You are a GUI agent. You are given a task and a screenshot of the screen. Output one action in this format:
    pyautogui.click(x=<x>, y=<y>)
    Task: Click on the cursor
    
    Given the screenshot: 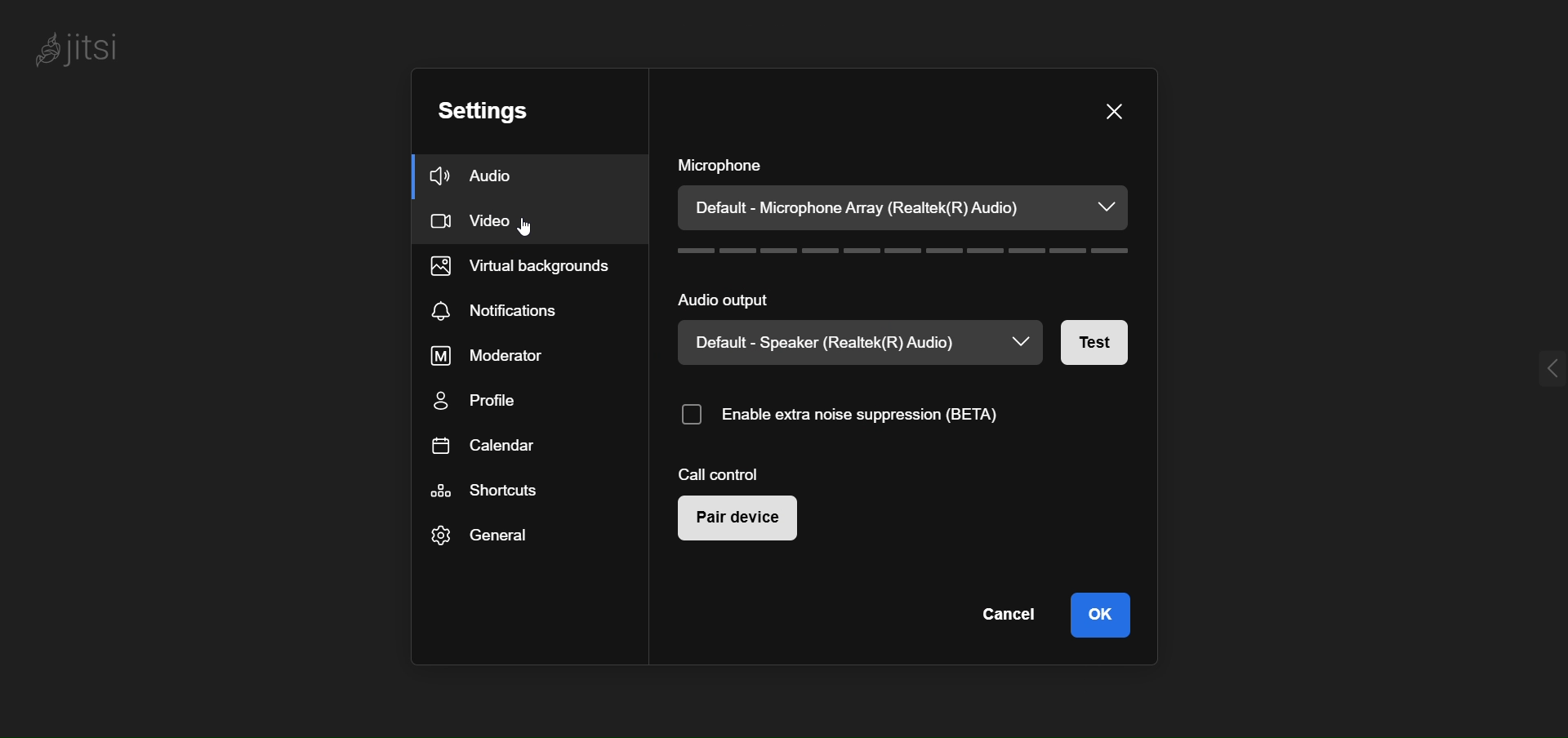 What is the action you would take?
    pyautogui.click(x=523, y=234)
    